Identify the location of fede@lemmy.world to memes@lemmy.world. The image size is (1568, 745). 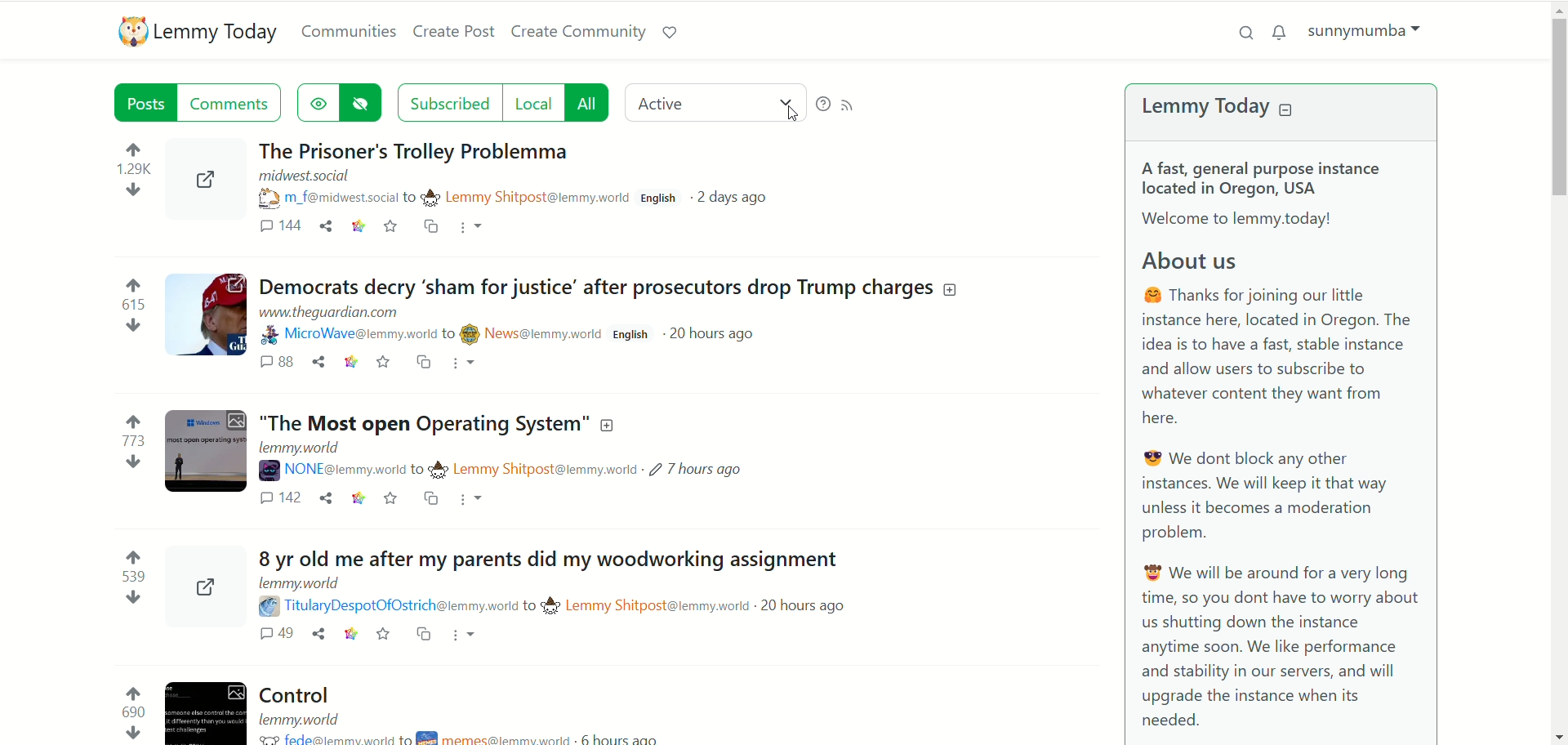
(418, 738).